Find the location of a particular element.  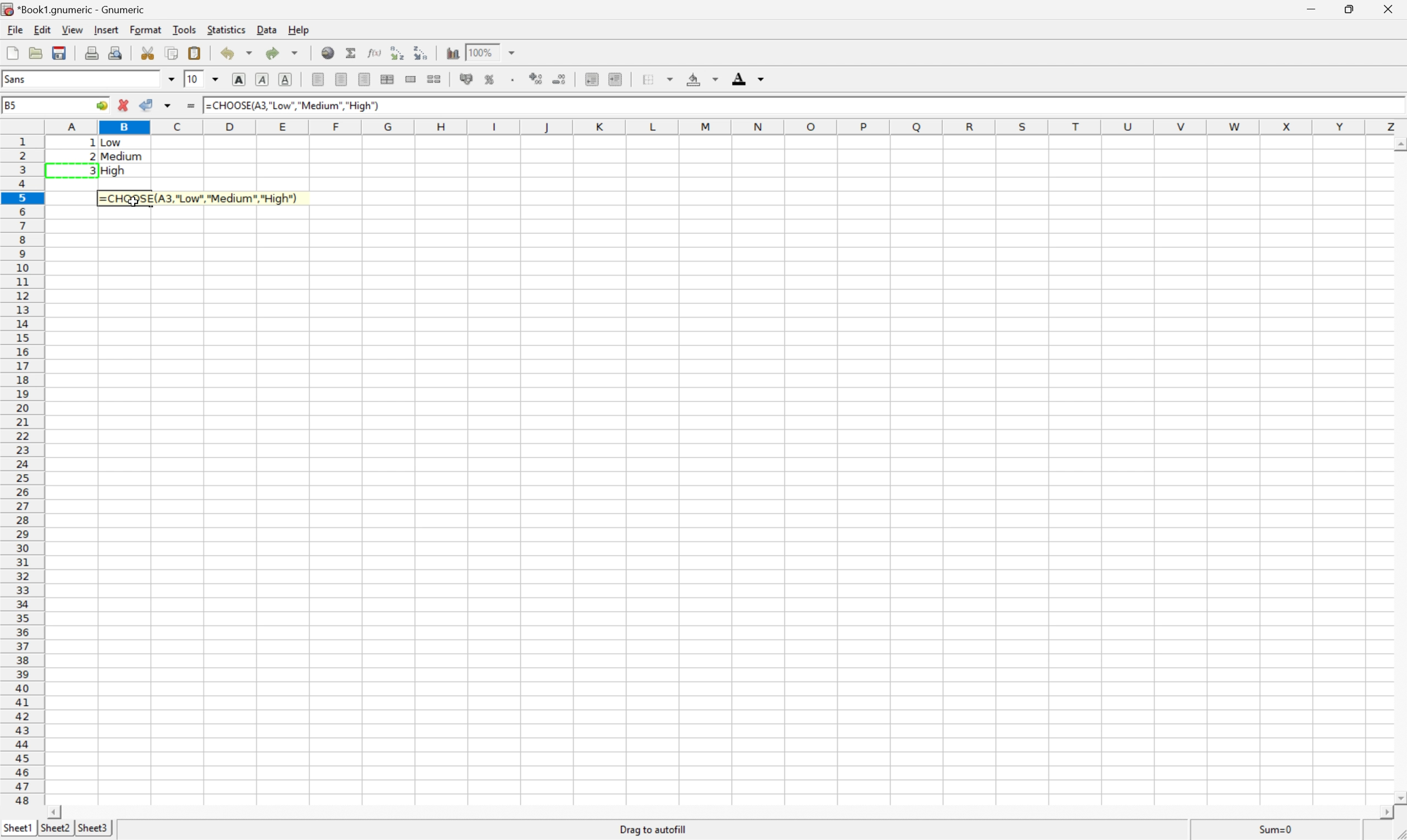

Open a file is located at coordinates (35, 53).